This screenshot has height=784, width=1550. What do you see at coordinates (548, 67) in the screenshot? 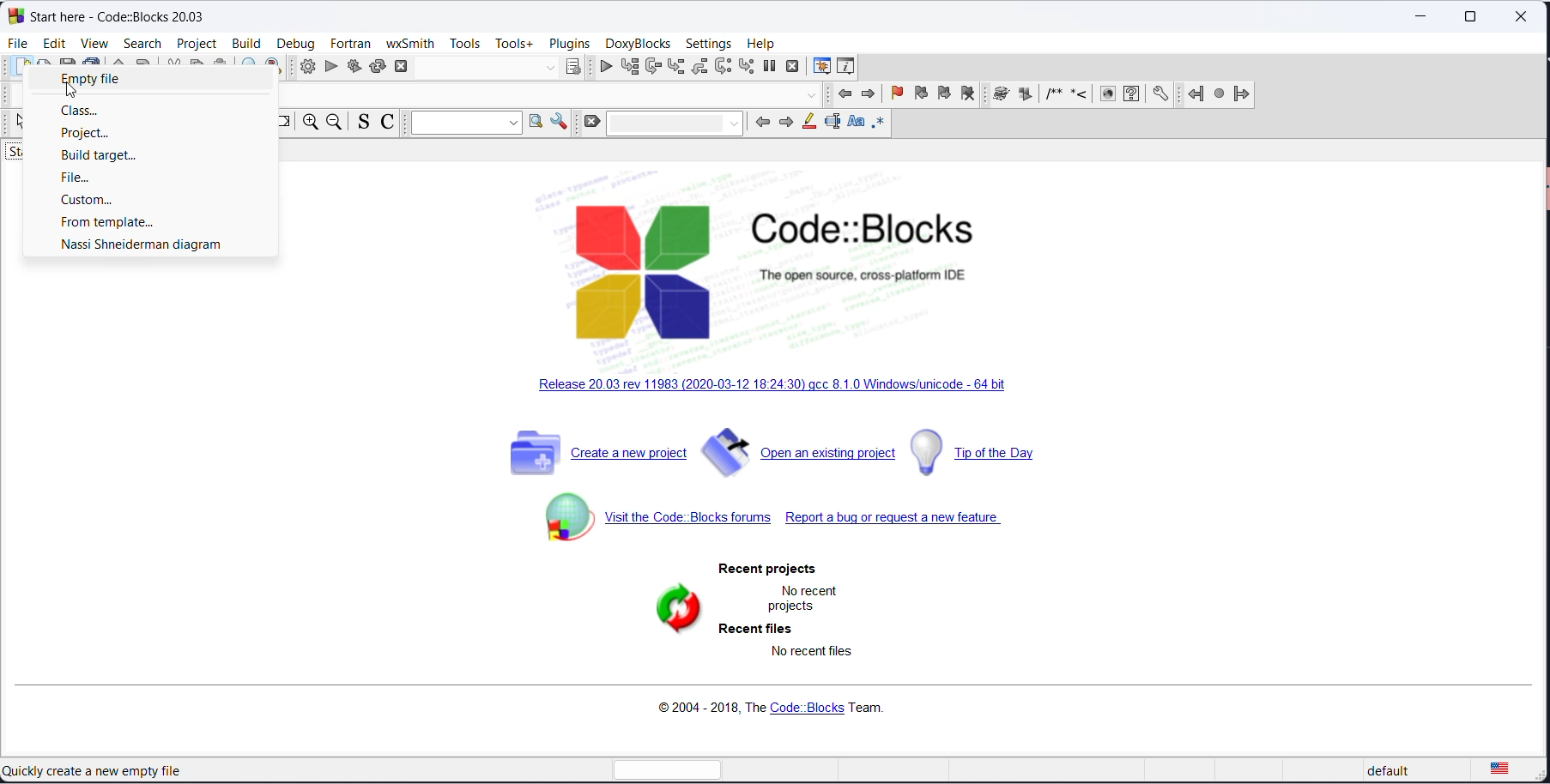
I see `dropdown button` at bounding box center [548, 67].